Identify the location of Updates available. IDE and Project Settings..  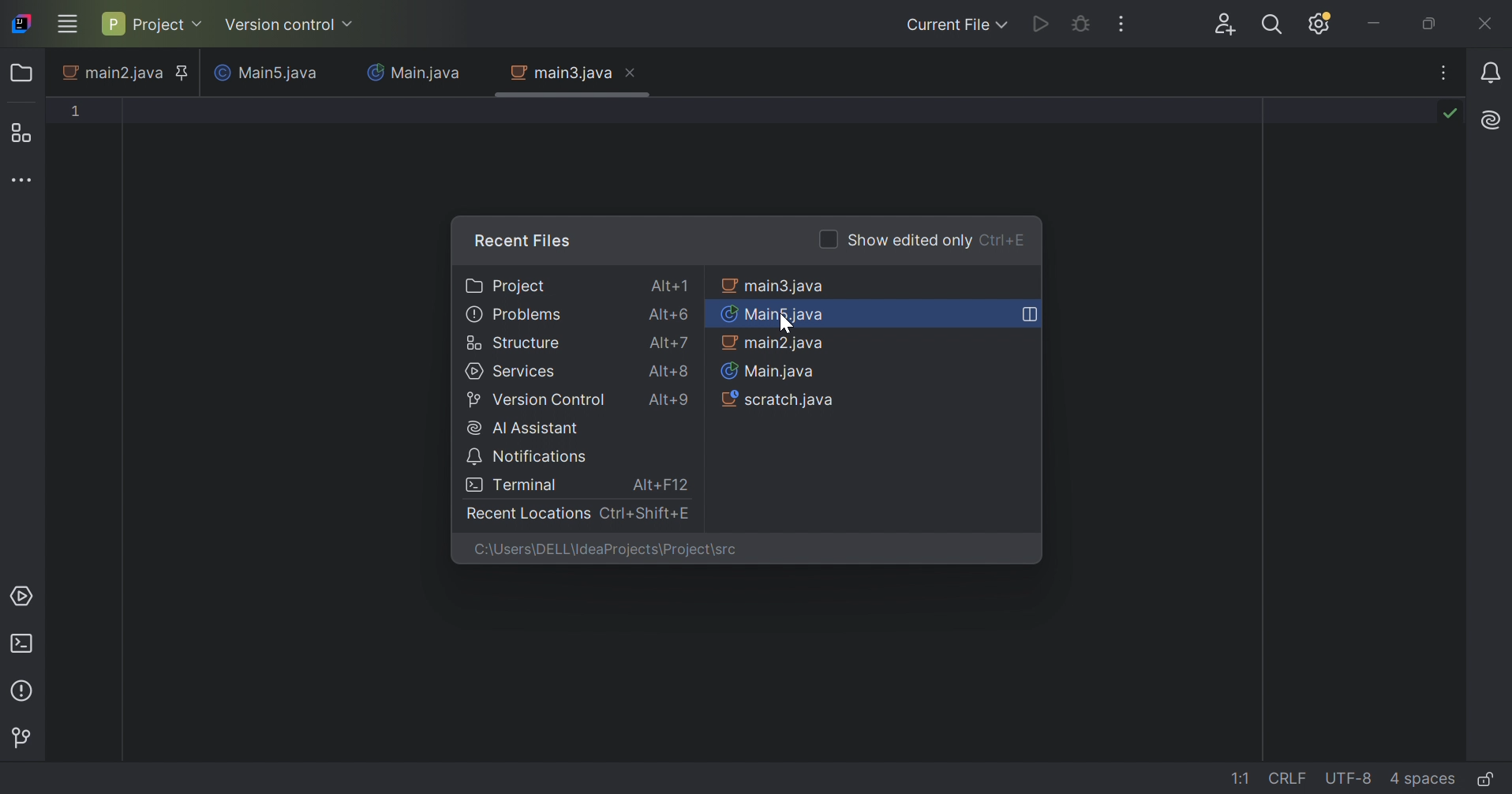
(1319, 24).